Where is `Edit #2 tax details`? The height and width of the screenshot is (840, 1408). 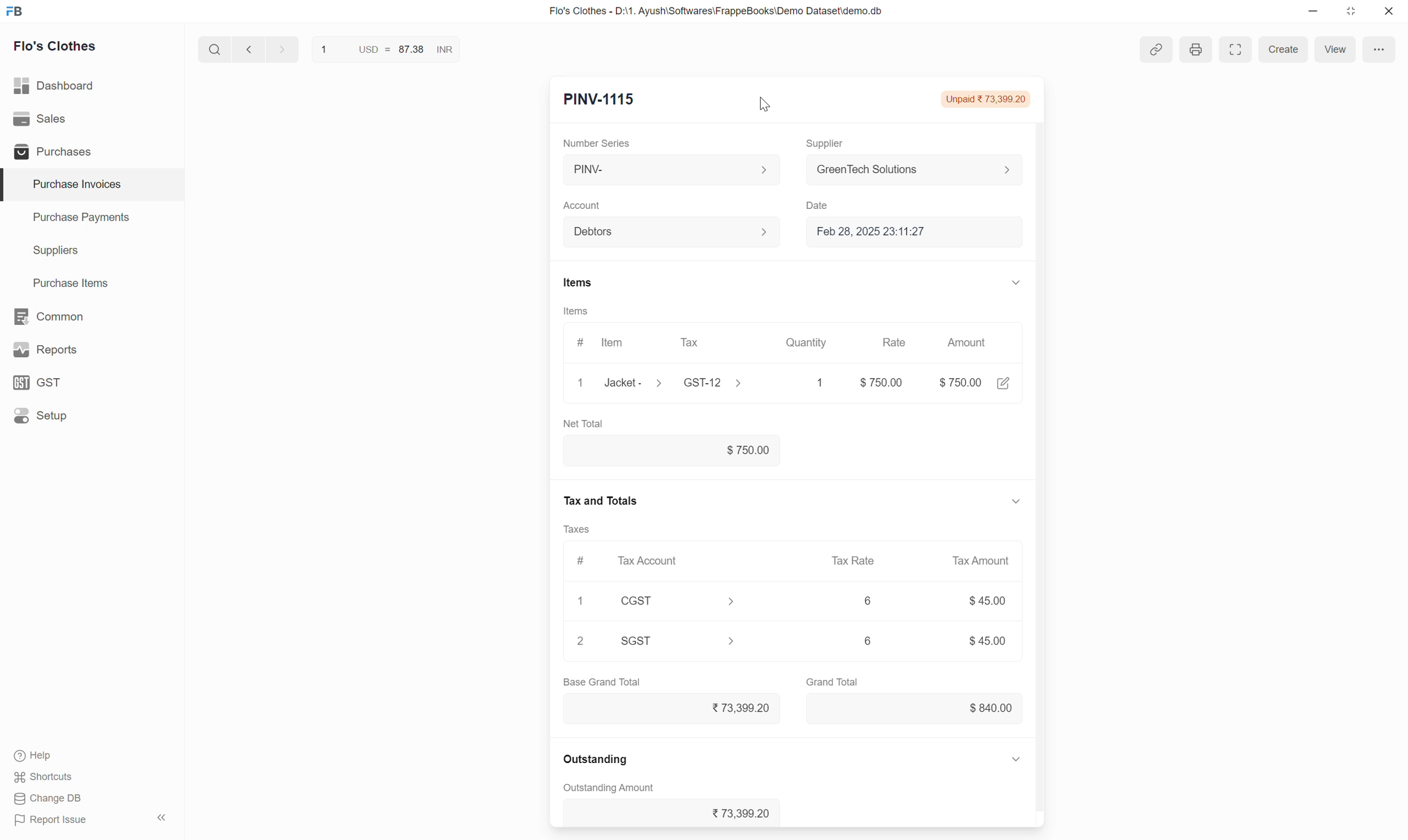 Edit #2 tax details is located at coordinates (731, 641).